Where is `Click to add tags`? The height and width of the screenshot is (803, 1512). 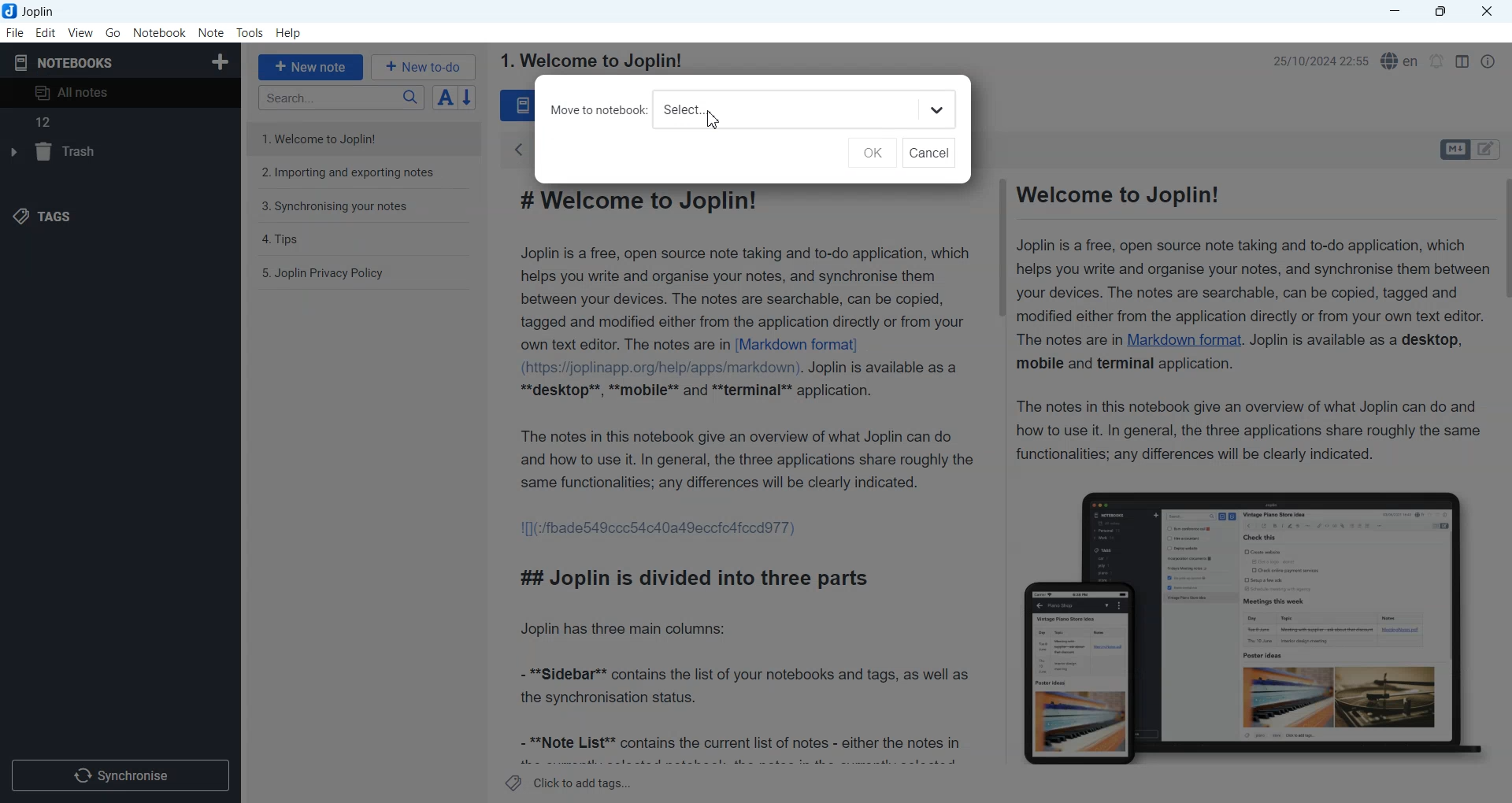
Click to add tags is located at coordinates (569, 783).